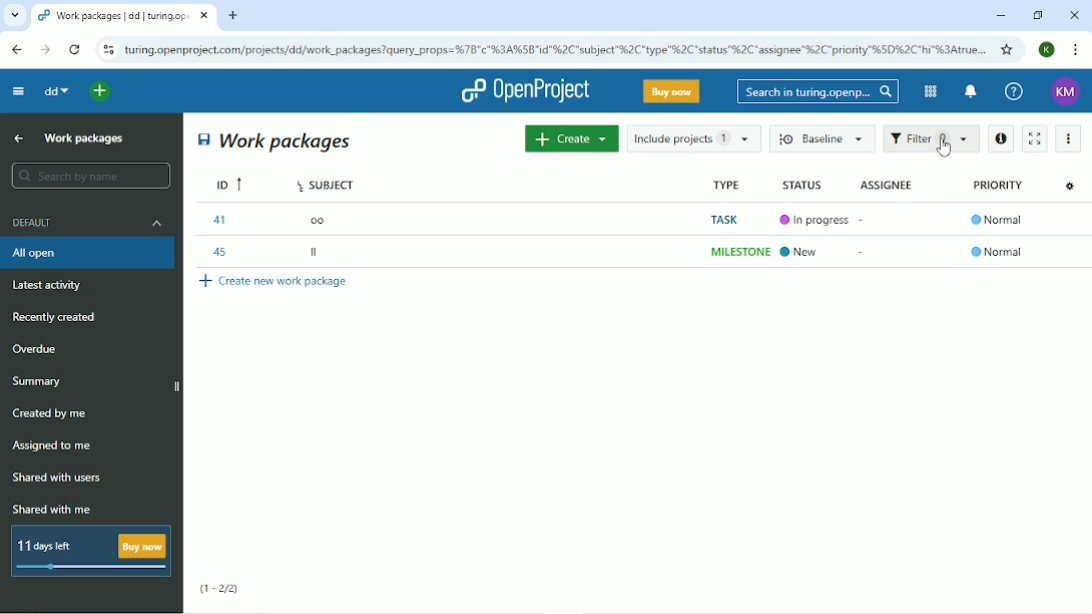 The width and height of the screenshot is (1092, 614). Describe the element at coordinates (53, 446) in the screenshot. I see `Assigned to me` at that location.